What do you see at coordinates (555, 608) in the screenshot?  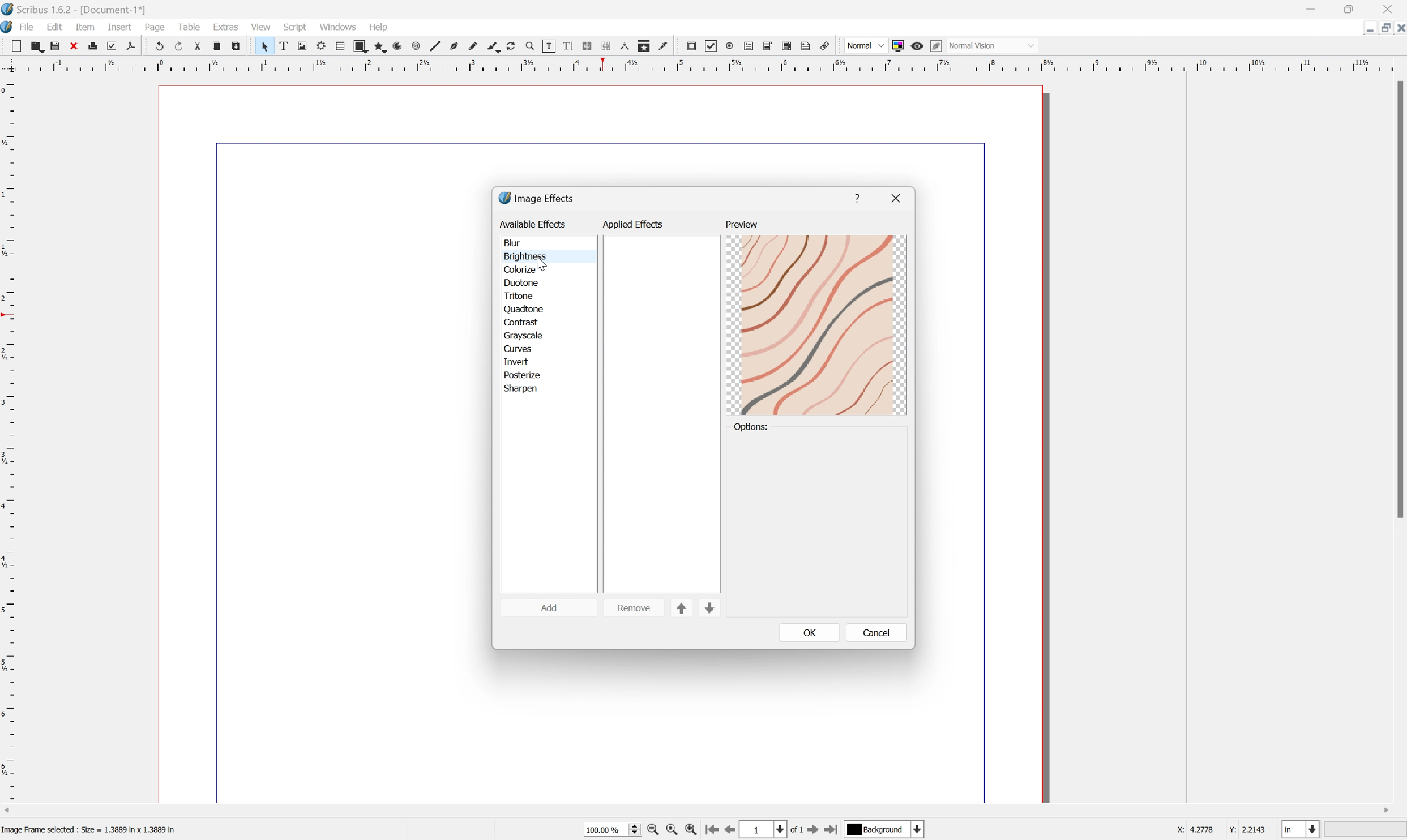 I see `add` at bounding box center [555, 608].